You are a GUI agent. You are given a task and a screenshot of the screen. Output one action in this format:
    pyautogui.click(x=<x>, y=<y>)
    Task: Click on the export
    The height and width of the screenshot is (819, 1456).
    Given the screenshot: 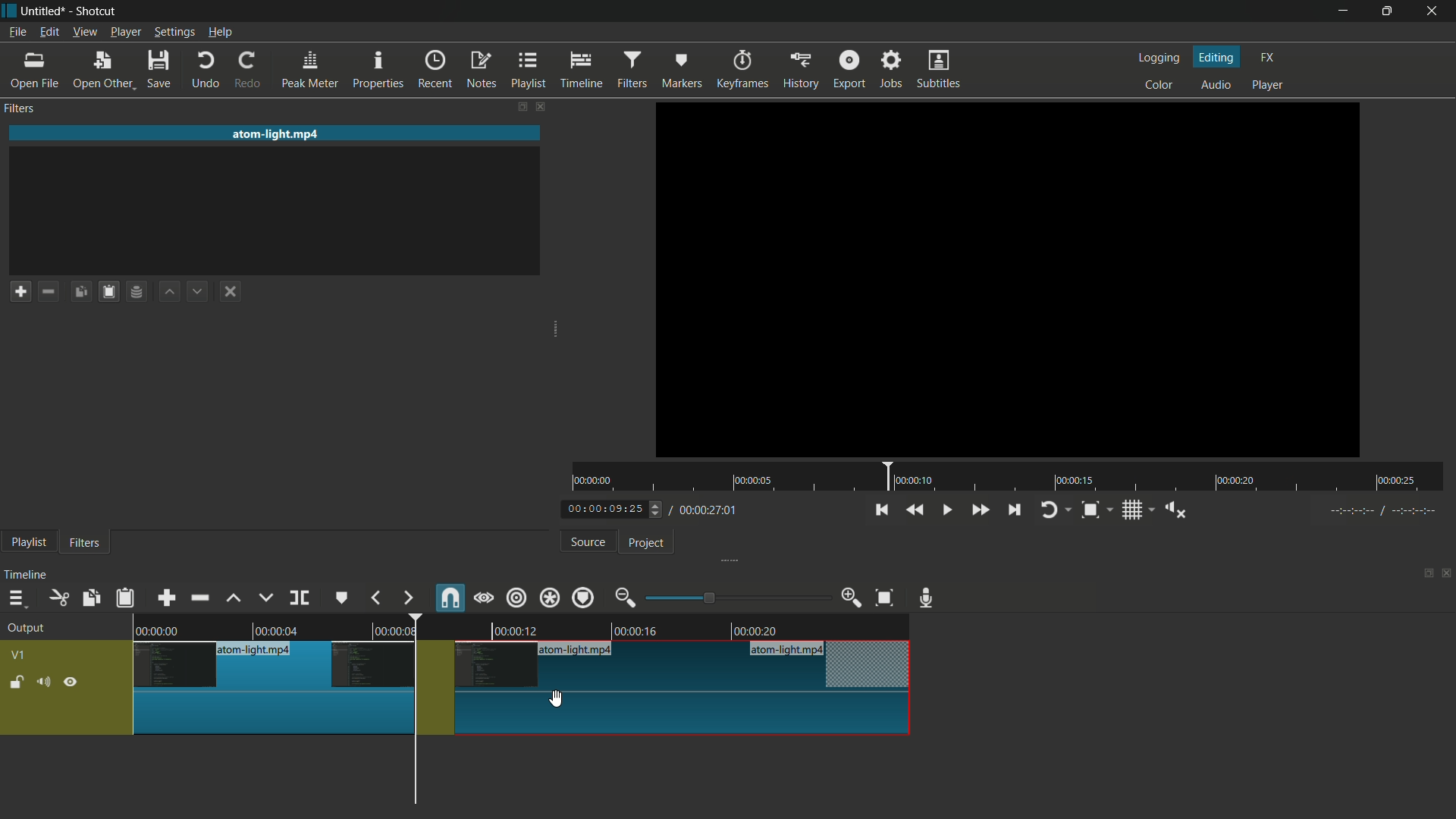 What is the action you would take?
    pyautogui.click(x=849, y=67)
    